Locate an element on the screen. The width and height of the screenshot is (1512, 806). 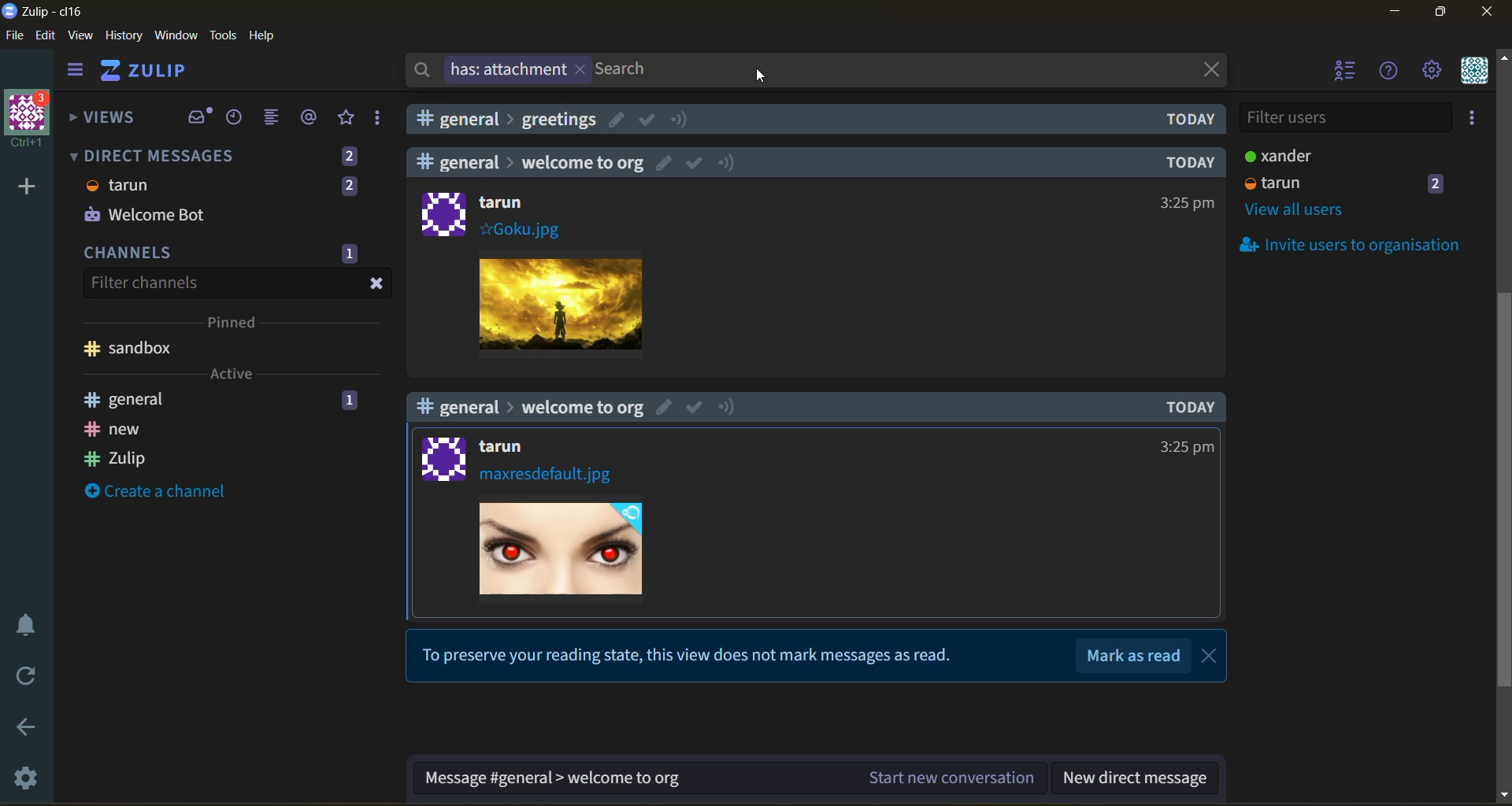
filter users is located at coordinates (1344, 119).